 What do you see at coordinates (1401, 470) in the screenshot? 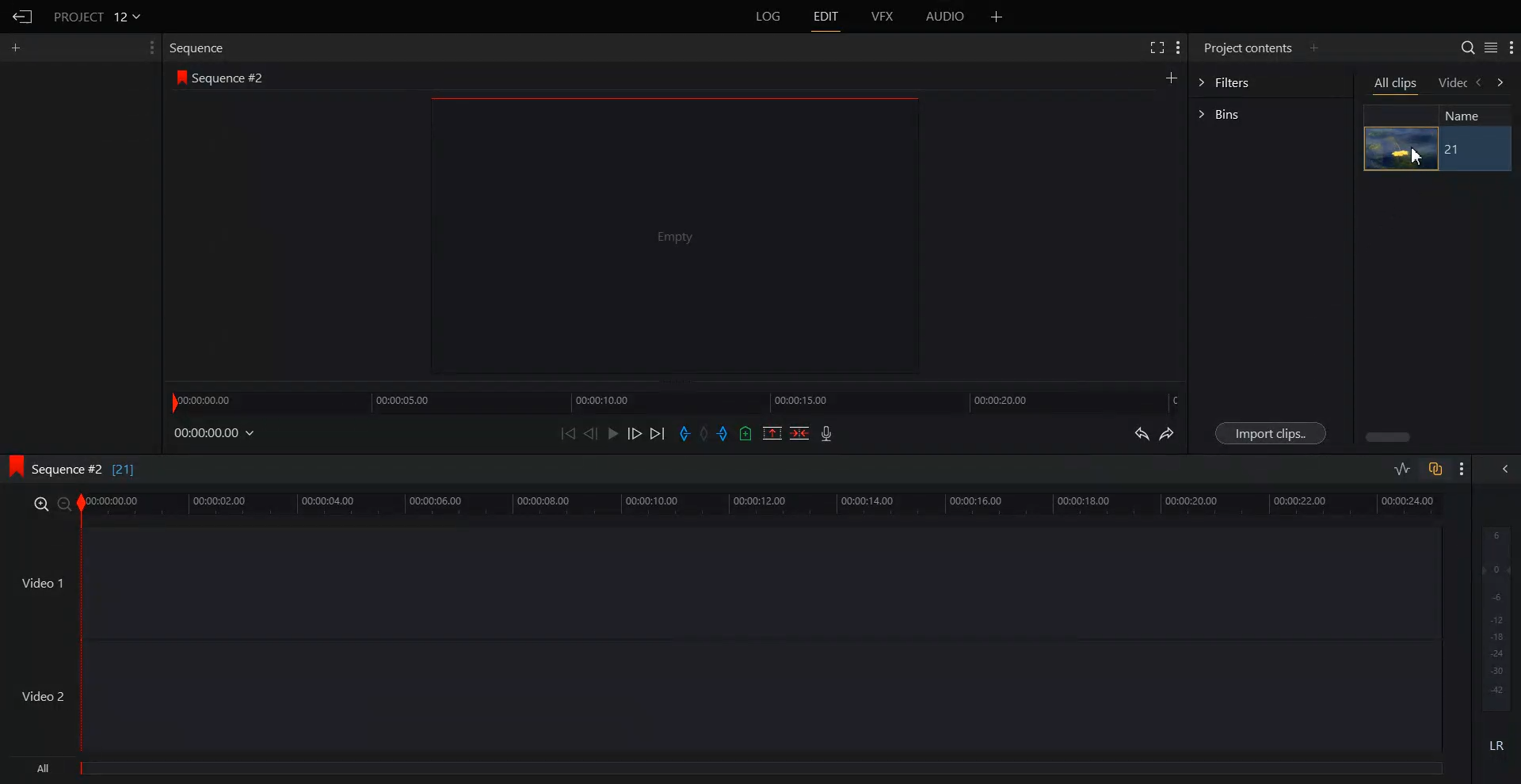
I see `Toggle Audio level editing` at bounding box center [1401, 470].